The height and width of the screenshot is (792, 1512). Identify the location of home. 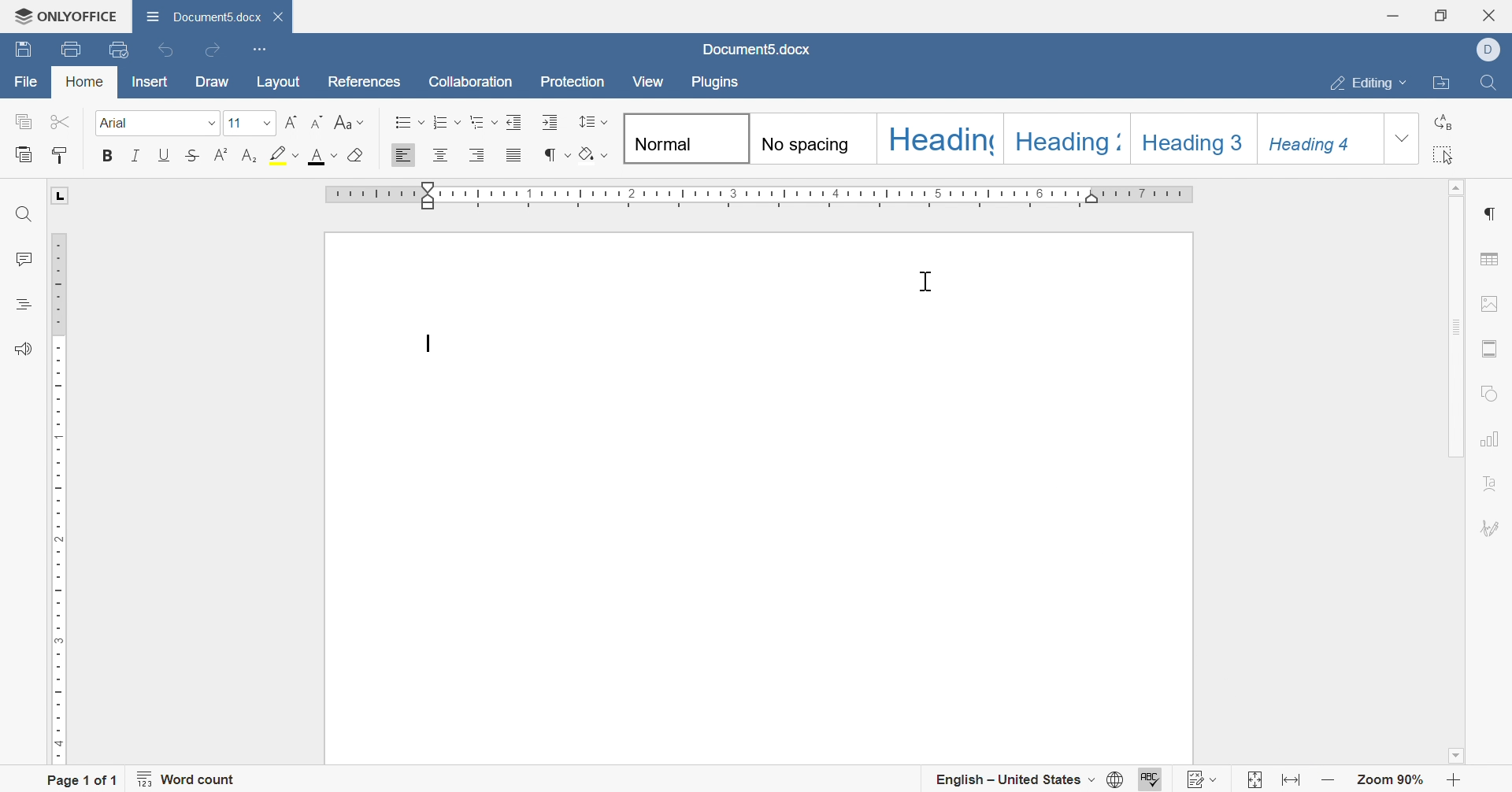
(87, 84).